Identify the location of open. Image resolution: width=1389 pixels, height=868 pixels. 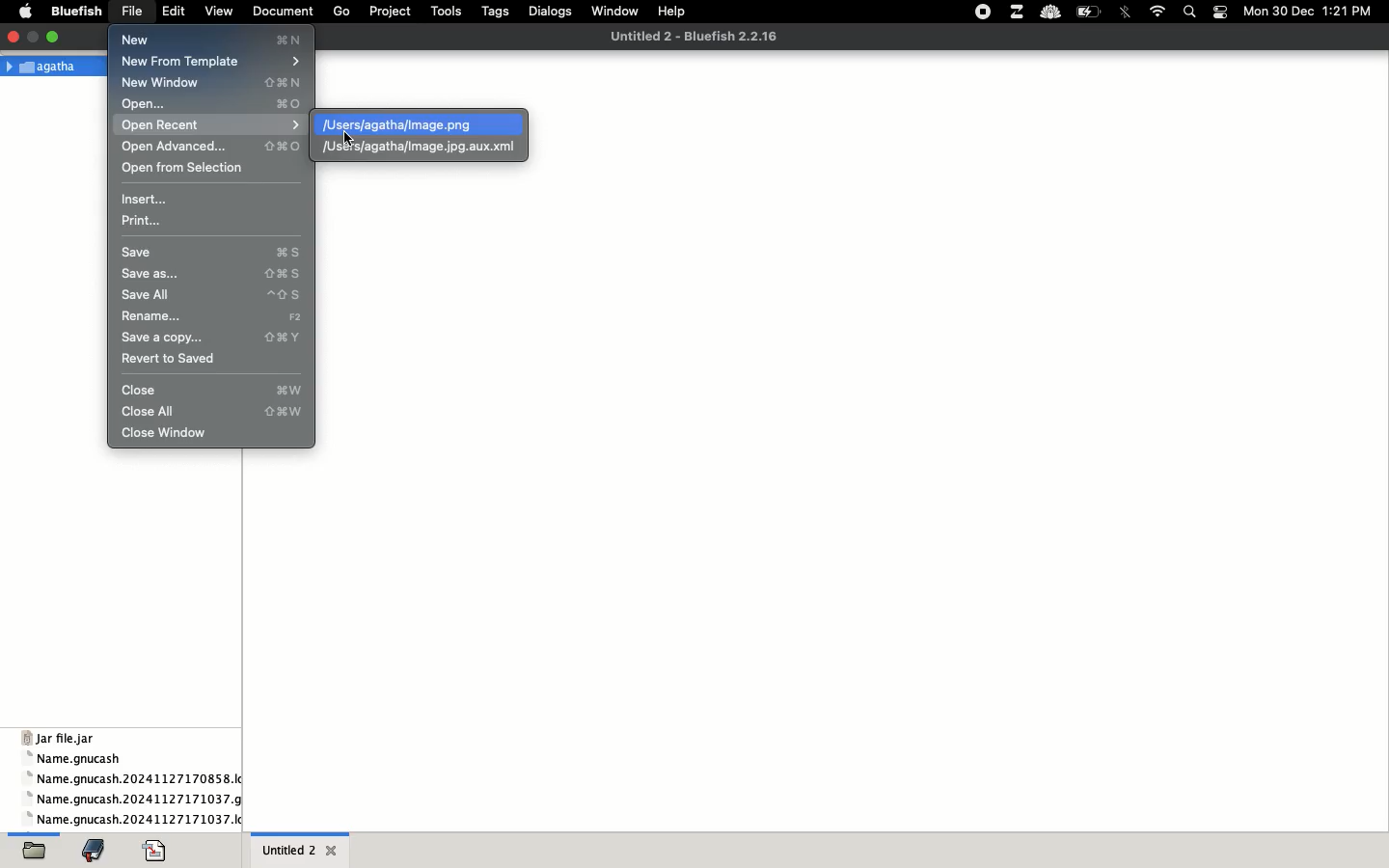
(215, 104).